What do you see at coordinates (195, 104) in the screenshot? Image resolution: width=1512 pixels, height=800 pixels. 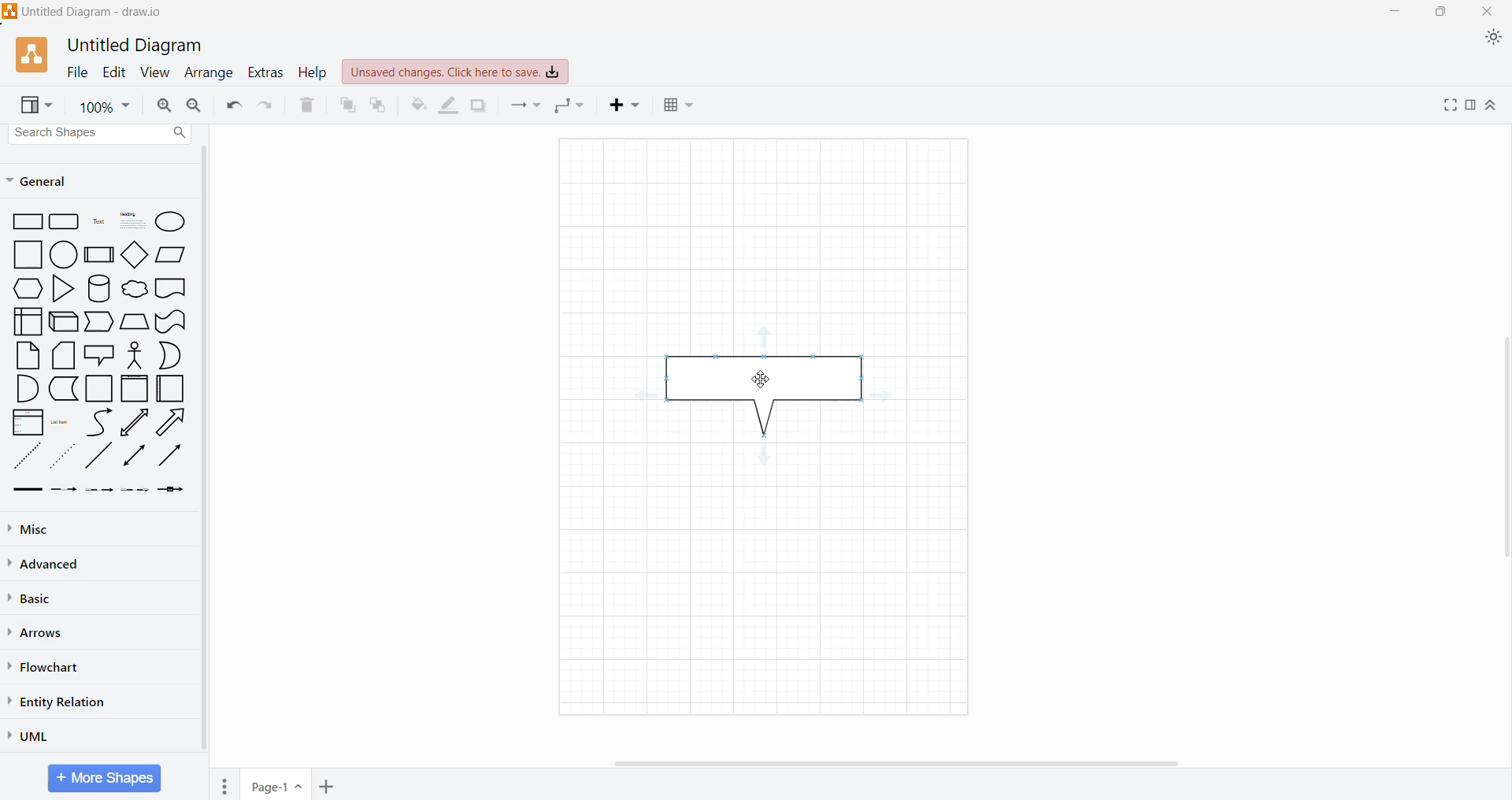 I see `Zoom Out` at bounding box center [195, 104].